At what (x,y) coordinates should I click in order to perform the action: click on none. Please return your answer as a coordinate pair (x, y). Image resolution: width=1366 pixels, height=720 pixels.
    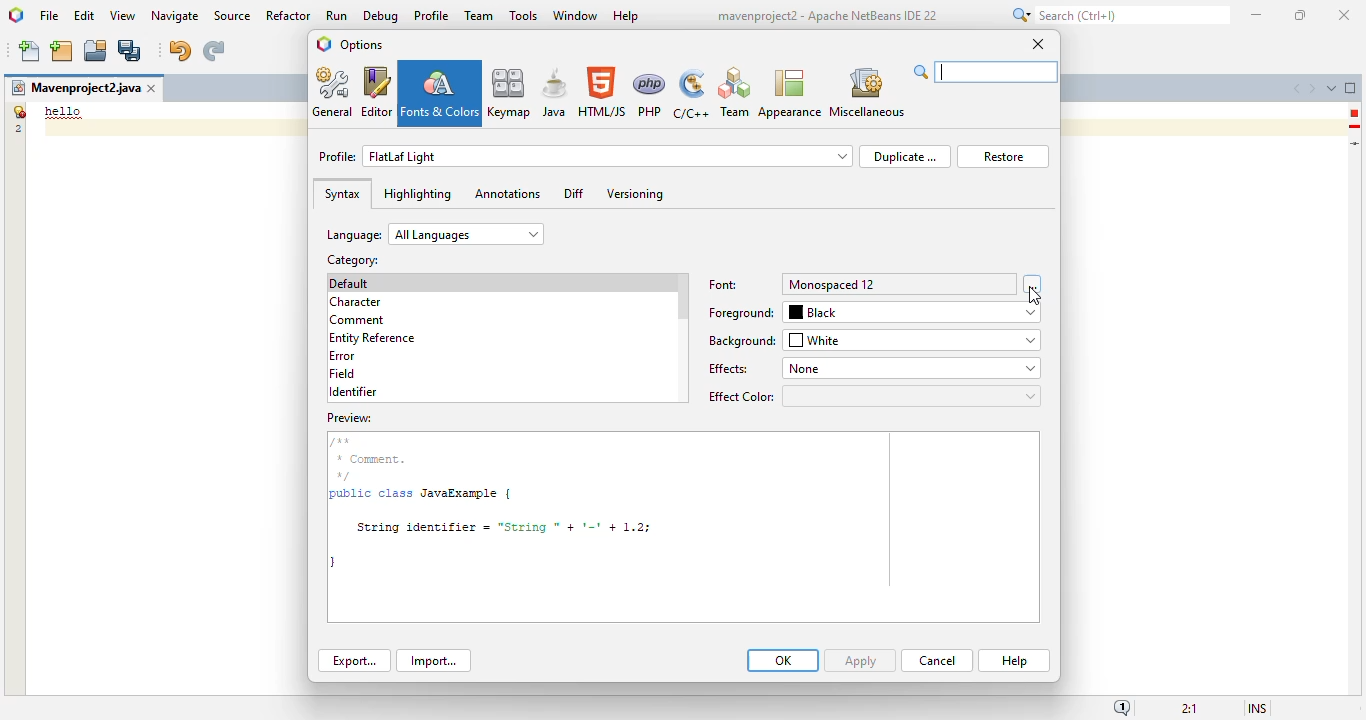
    Looking at the image, I should click on (910, 368).